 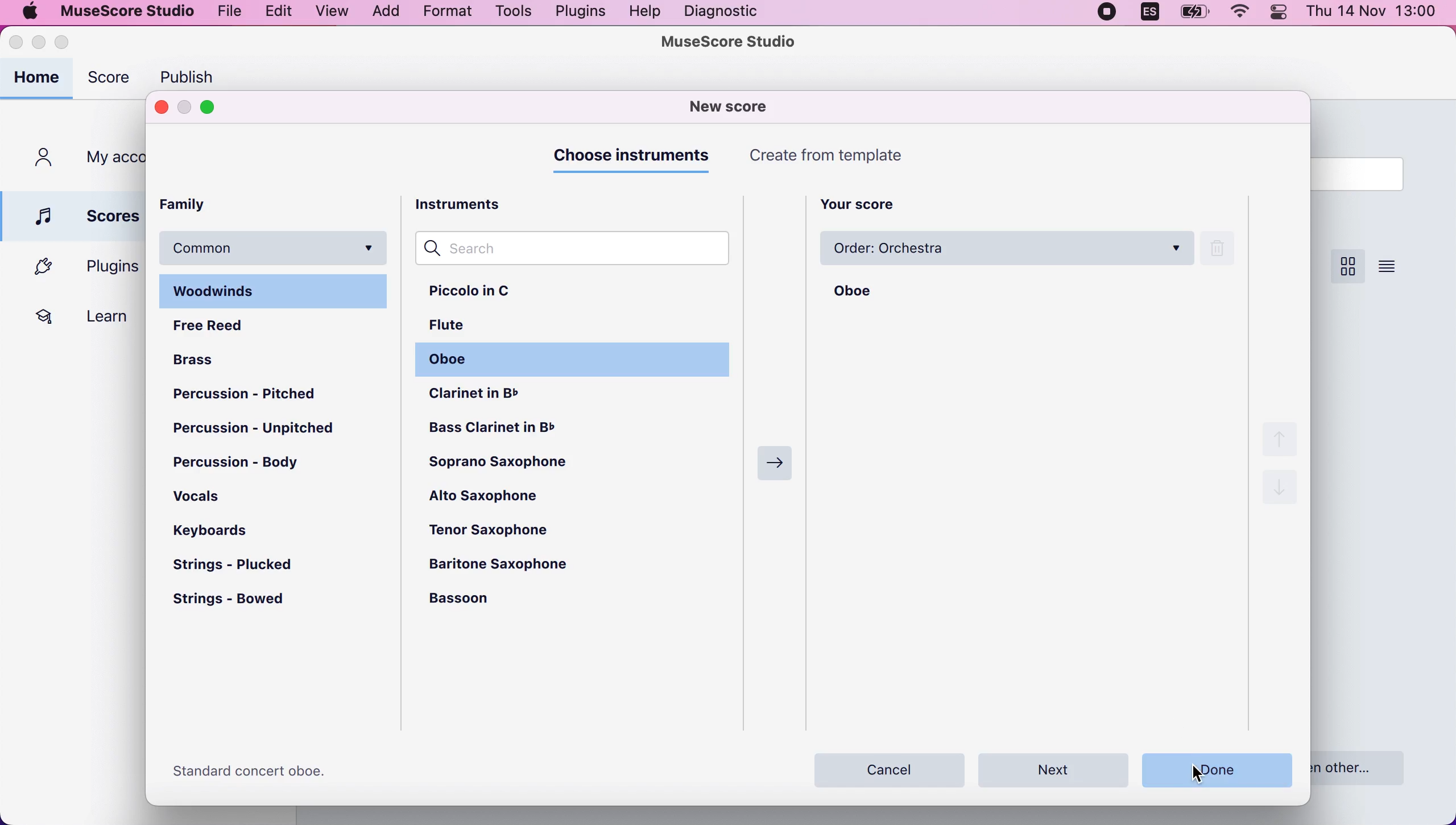 What do you see at coordinates (576, 429) in the screenshot?
I see `bass clarinet in b` at bounding box center [576, 429].